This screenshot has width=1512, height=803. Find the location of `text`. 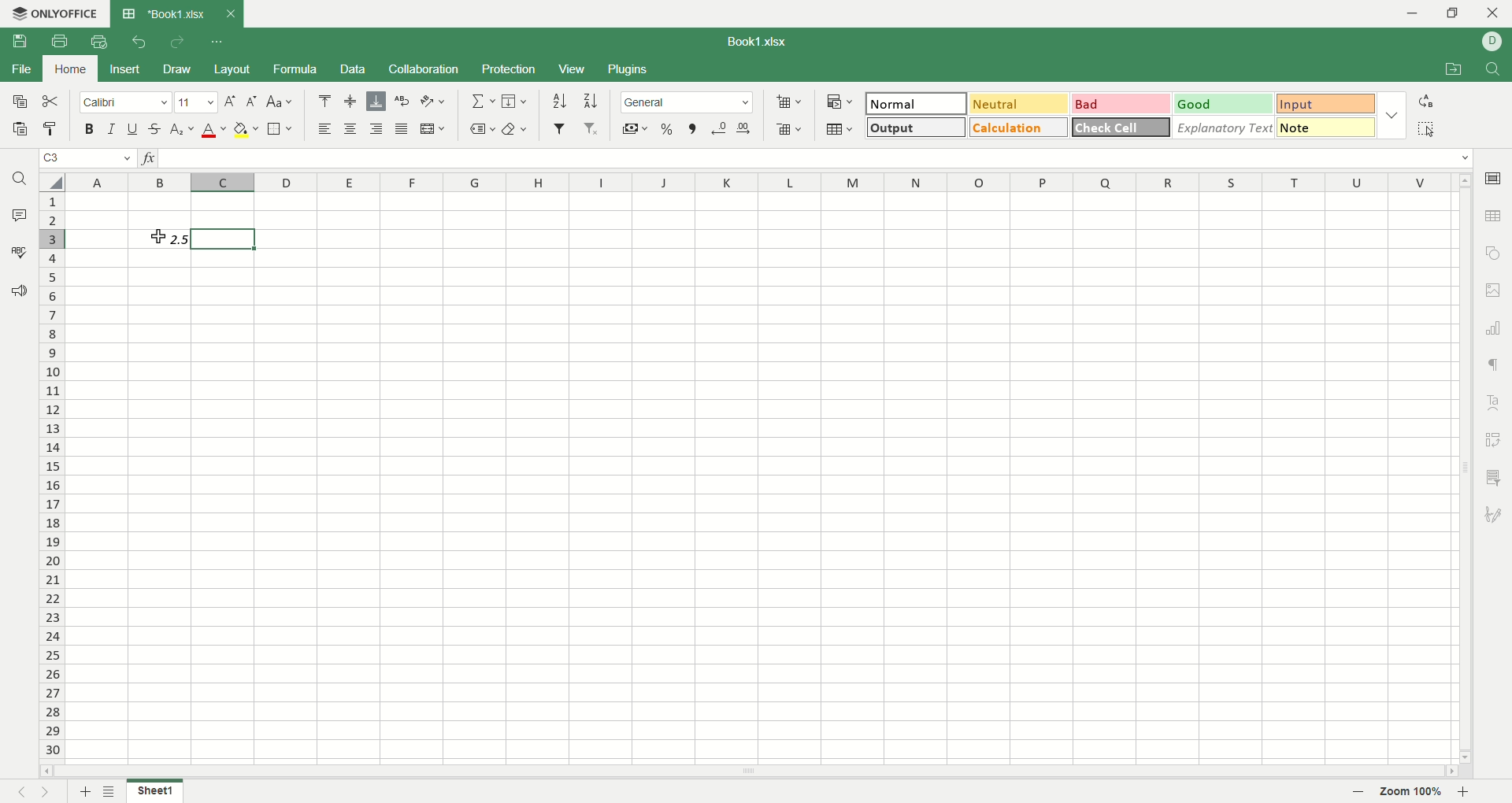

text is located at coordinates (160, 240).